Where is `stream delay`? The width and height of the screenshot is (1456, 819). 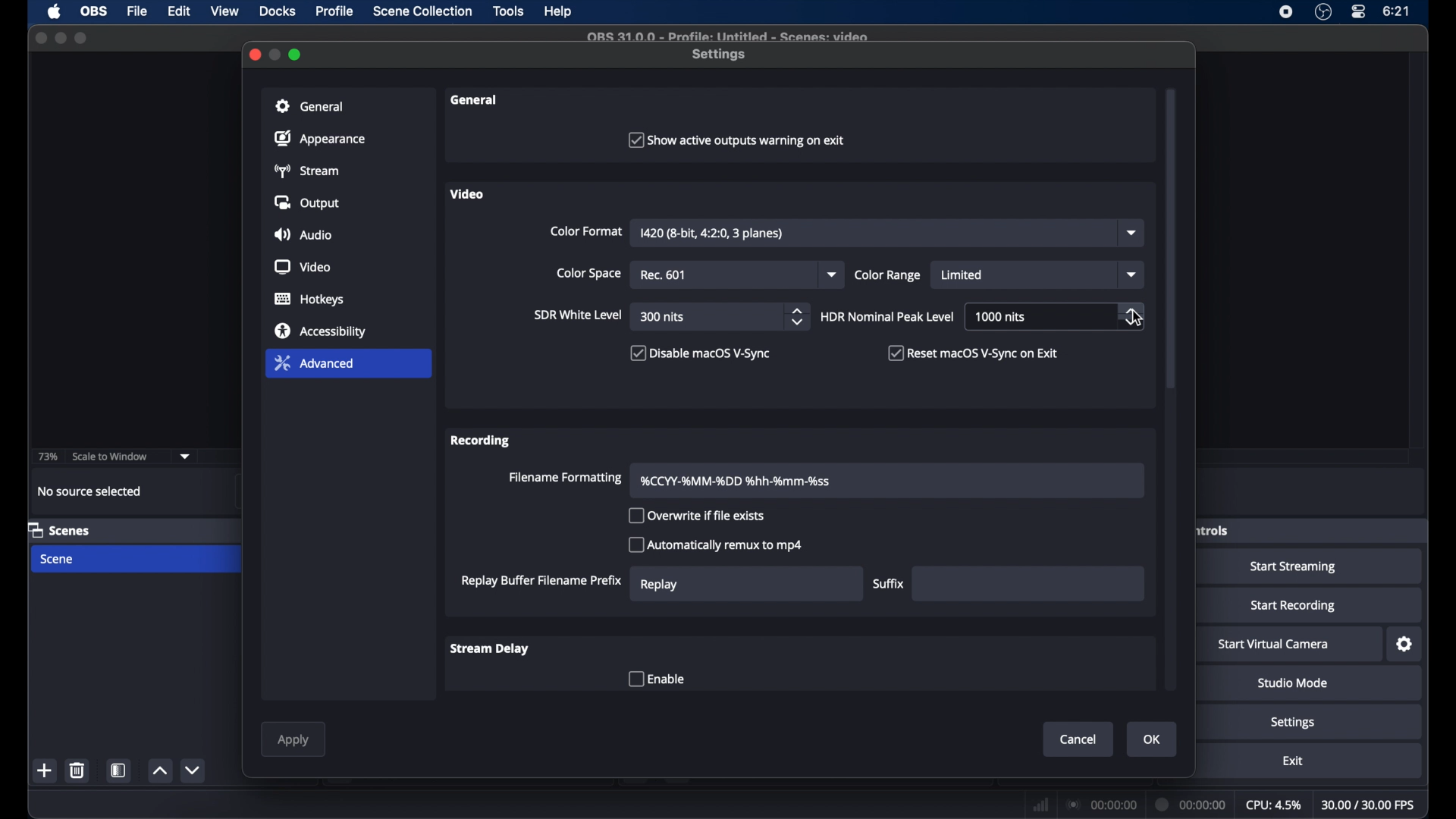 stream delay is located at coordinates (491, 648).